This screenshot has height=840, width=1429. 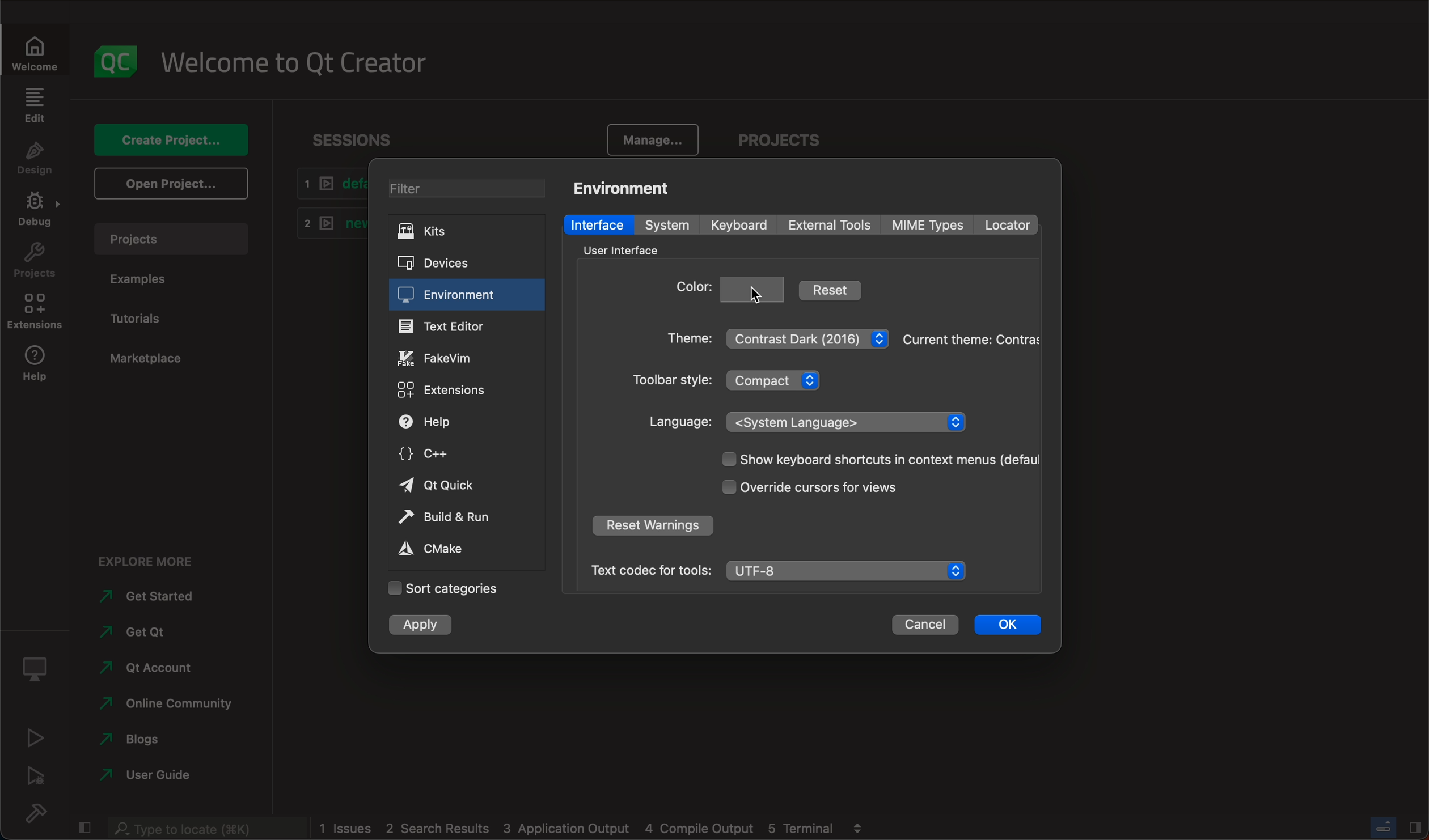 What do you see at coordinates (458, 549) in the screenshot?
I see `cmake` at bounding box center [458, 549].